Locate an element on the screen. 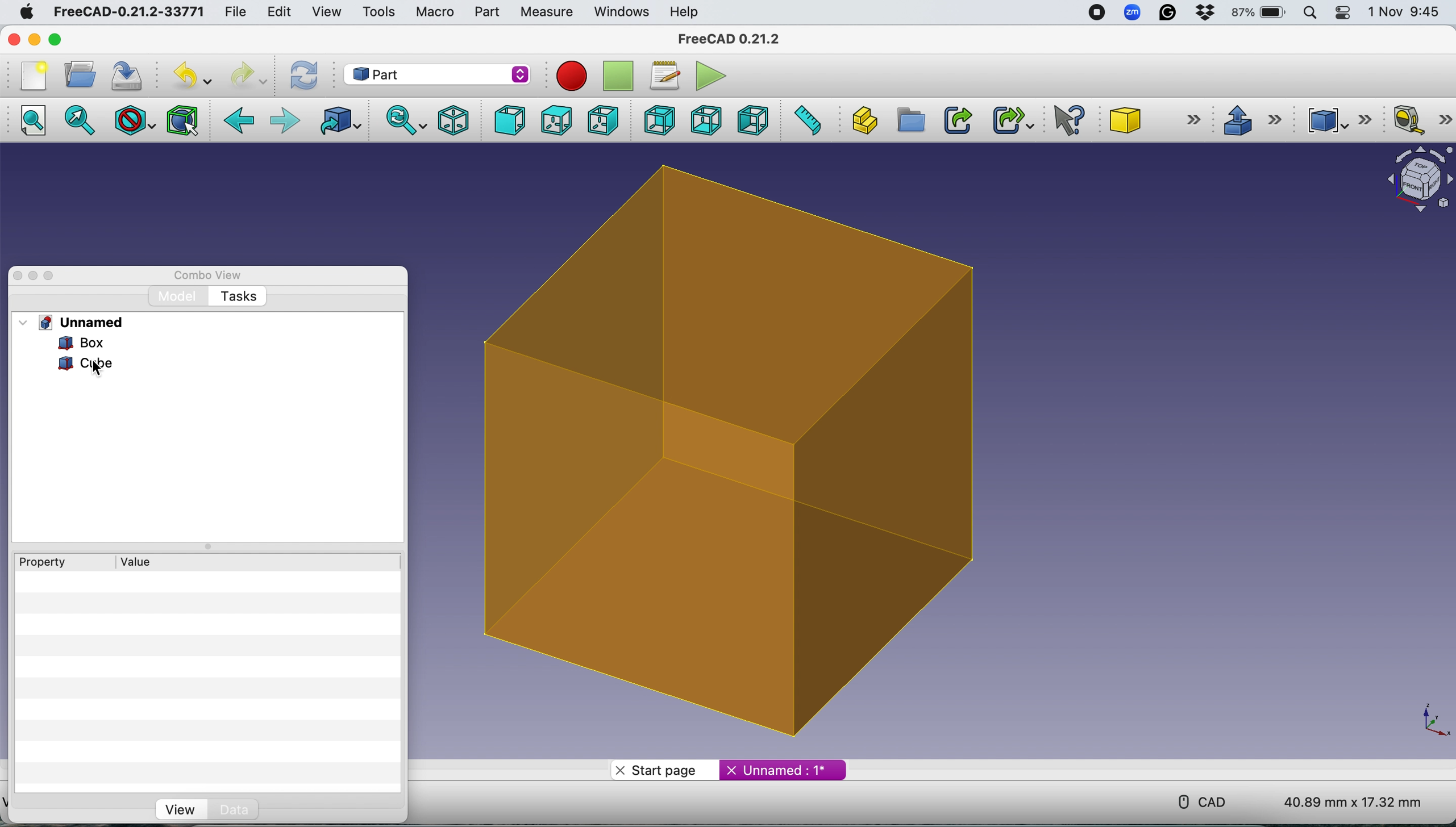  CAD is located at coordinates (1197, 800).